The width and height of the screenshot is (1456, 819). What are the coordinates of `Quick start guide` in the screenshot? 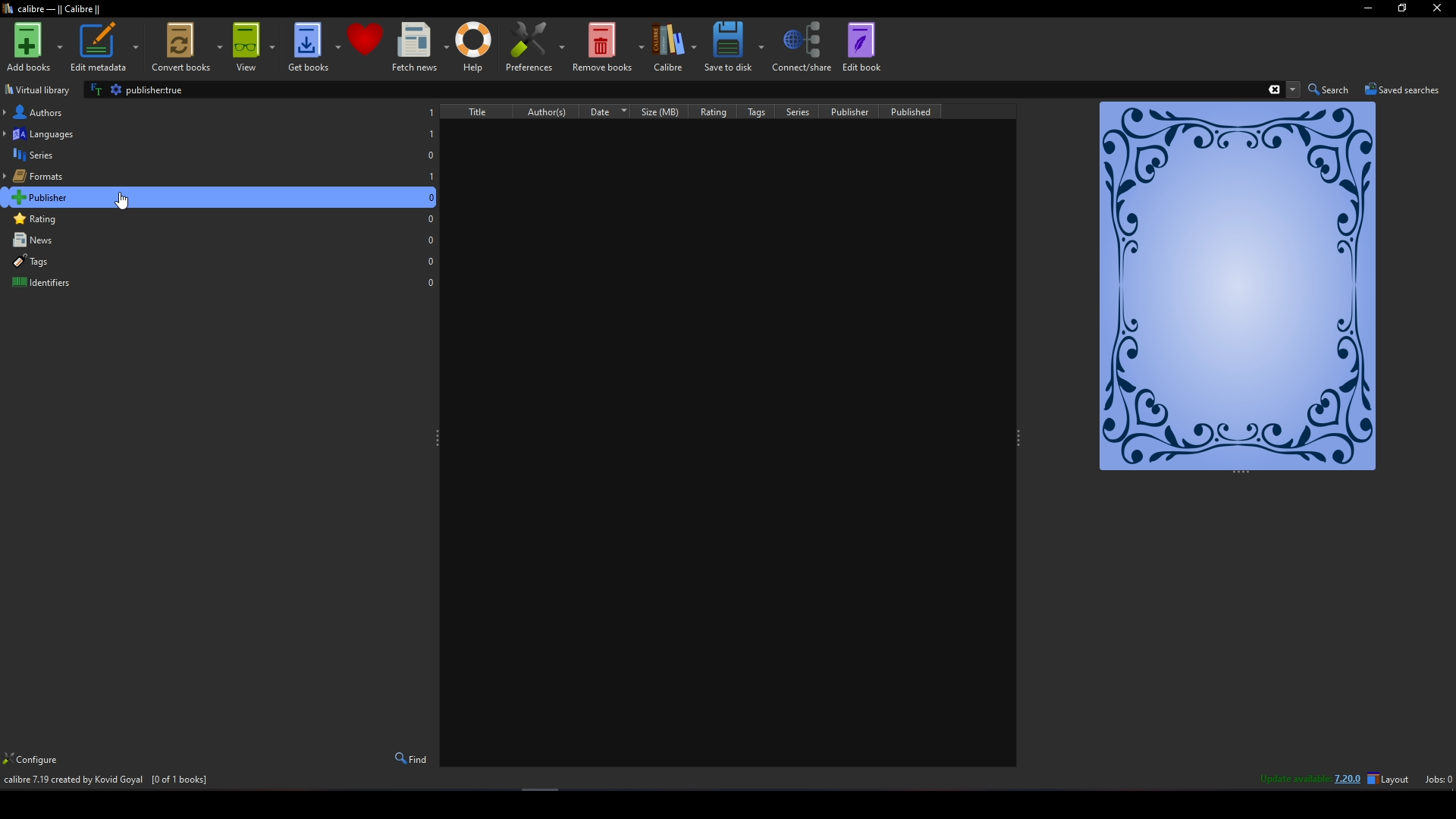 It's located at (1239, 285).